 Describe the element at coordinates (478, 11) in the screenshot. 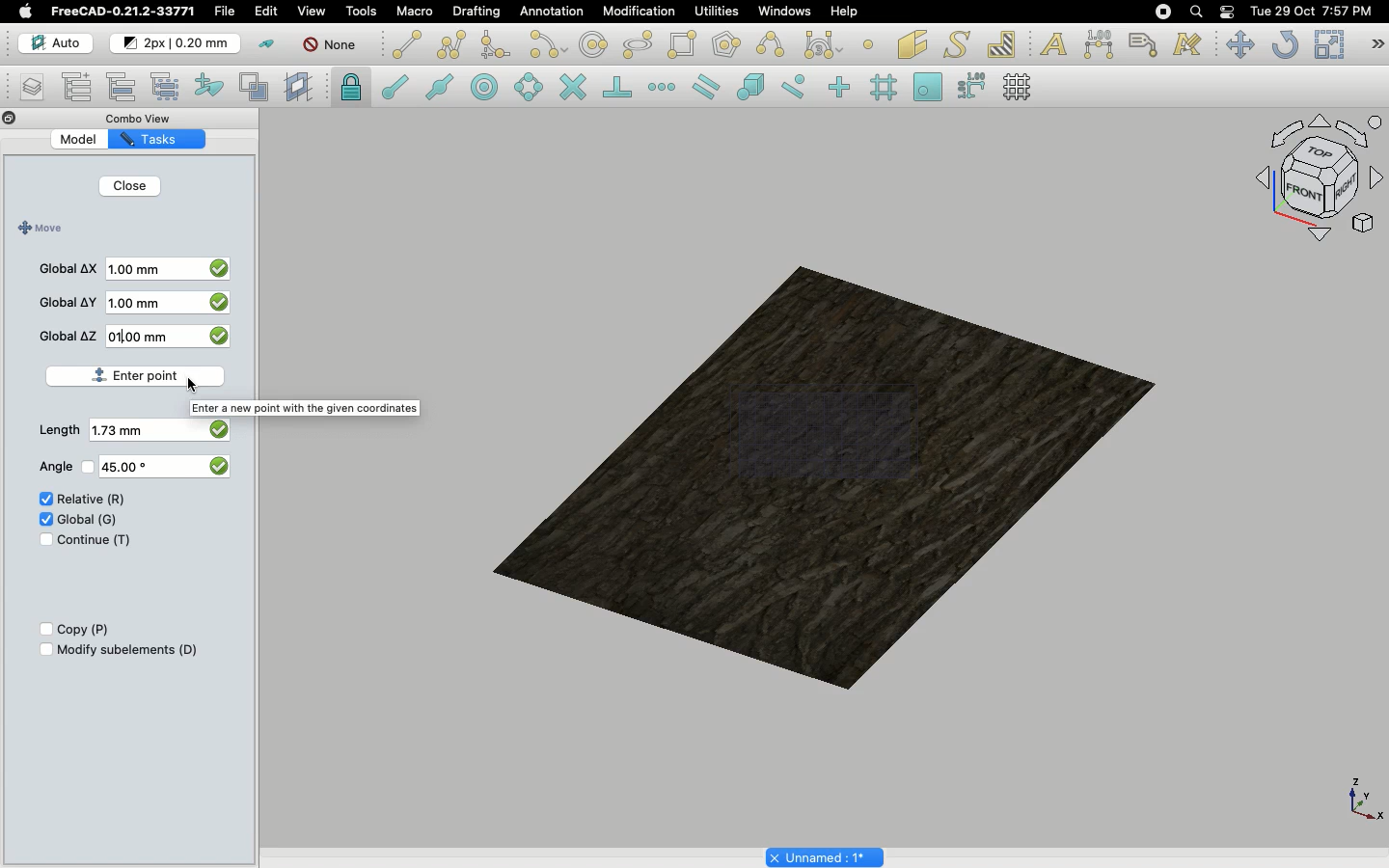

I see `Drafting` at that location.